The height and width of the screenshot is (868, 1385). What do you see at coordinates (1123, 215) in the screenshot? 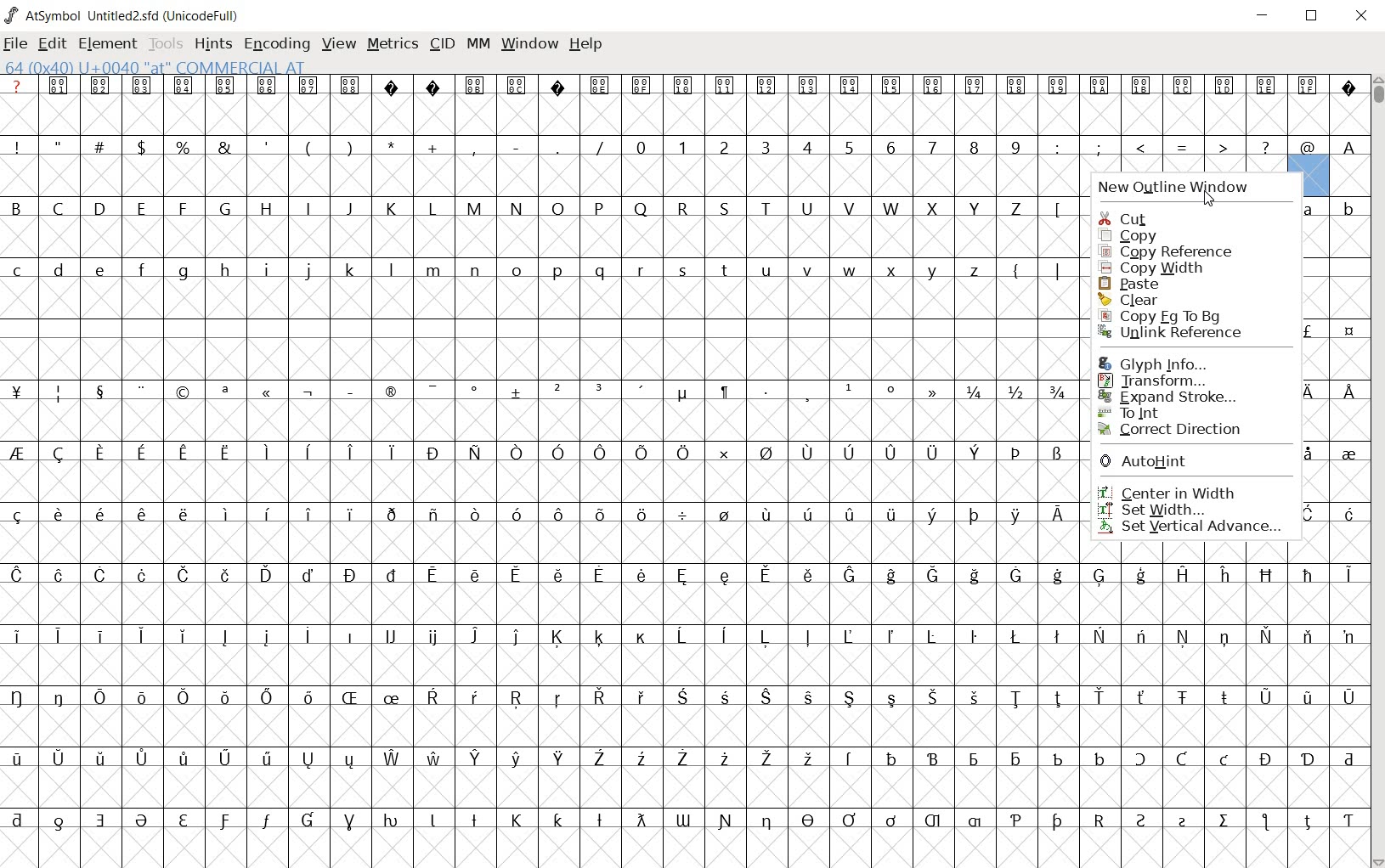
I see `CUT` at bounding box center [1123, 215].